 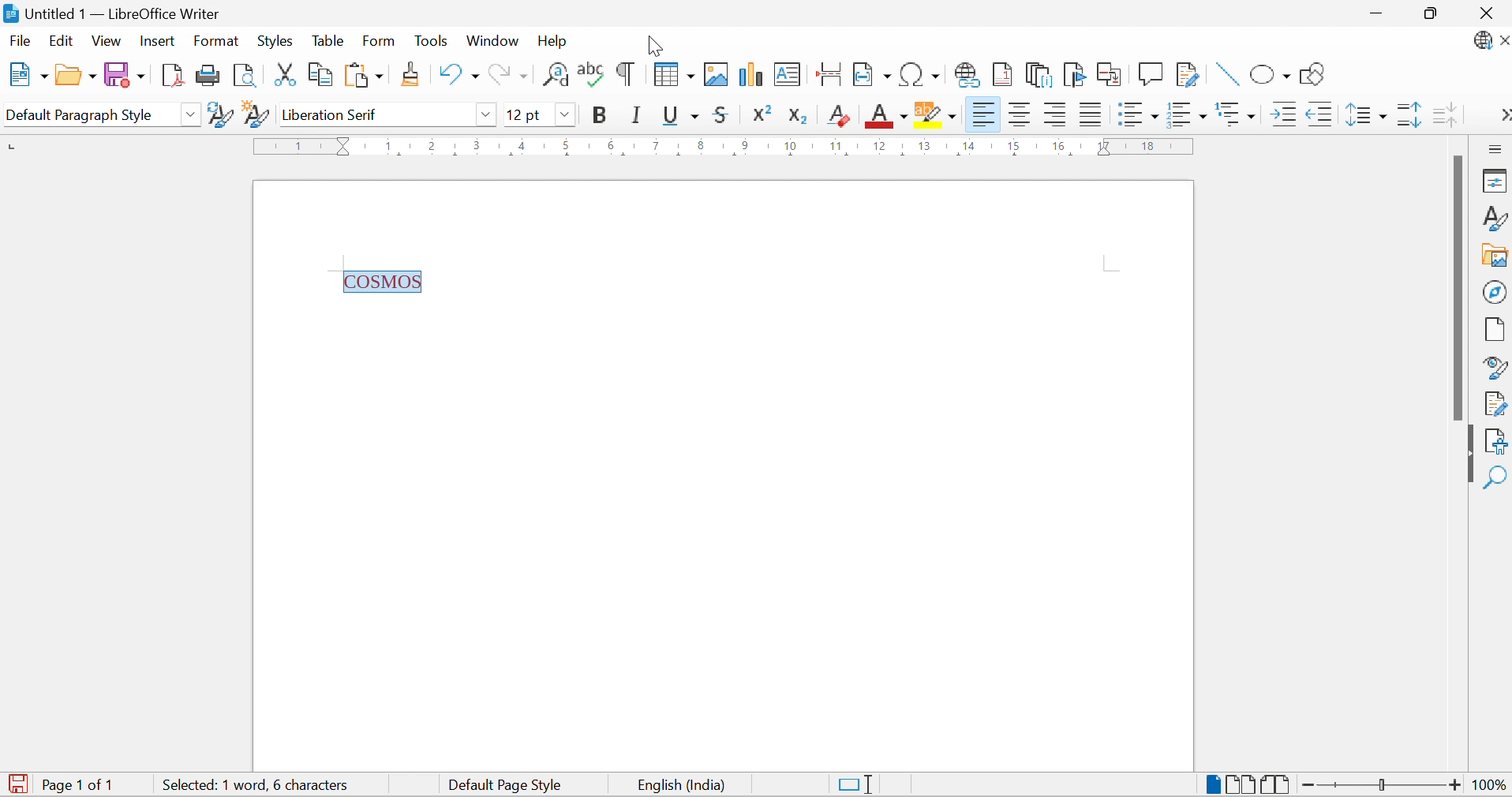 What do you see at coordinates (74, 74) in the screenshot?
I see `Open` at bounding box center [74, 74].